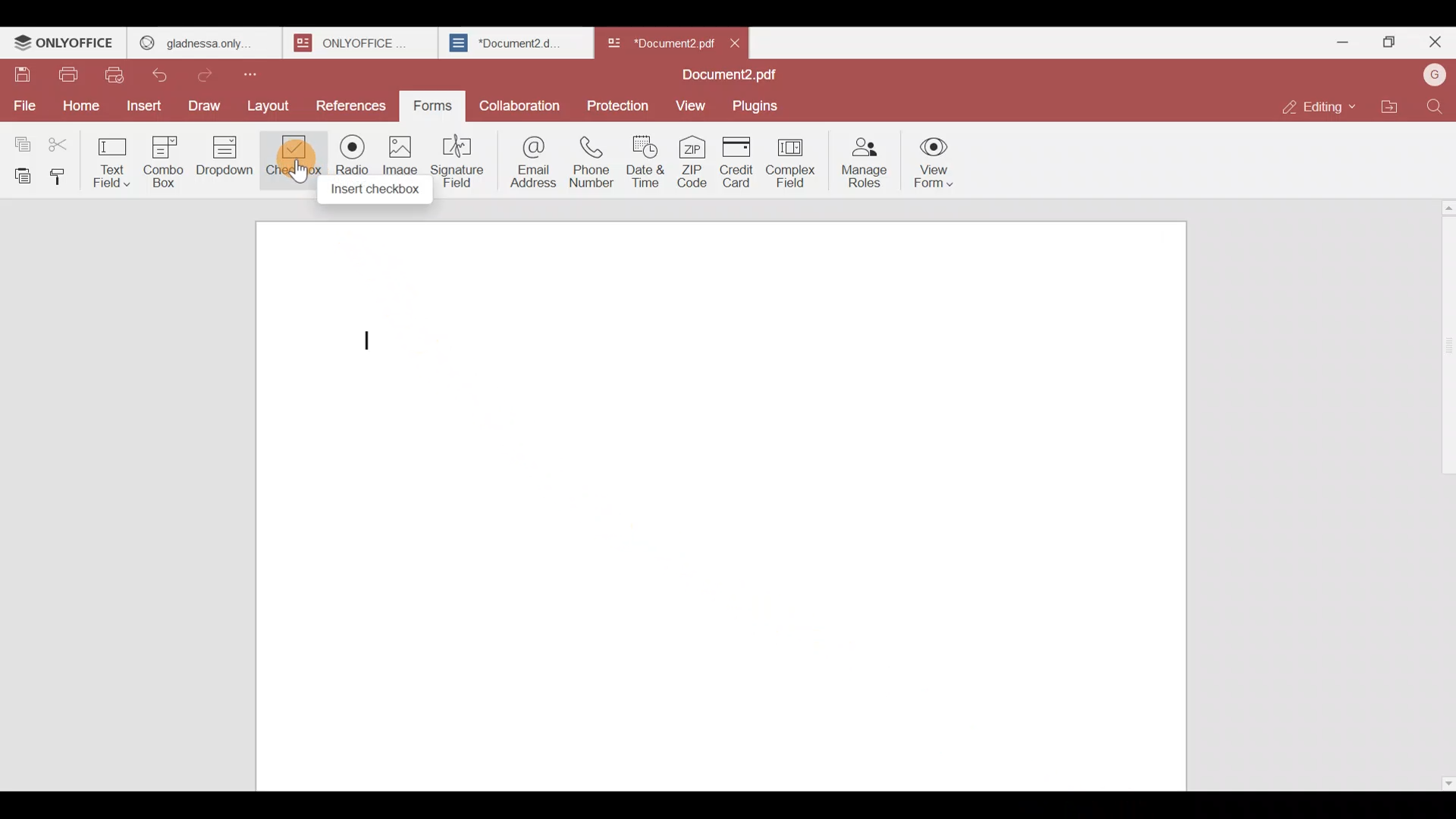 The width and height of the screenshot is (1456, 819). Describe the element at coordinates (20, 174) in the screenshot. I see `Paste` at that location.